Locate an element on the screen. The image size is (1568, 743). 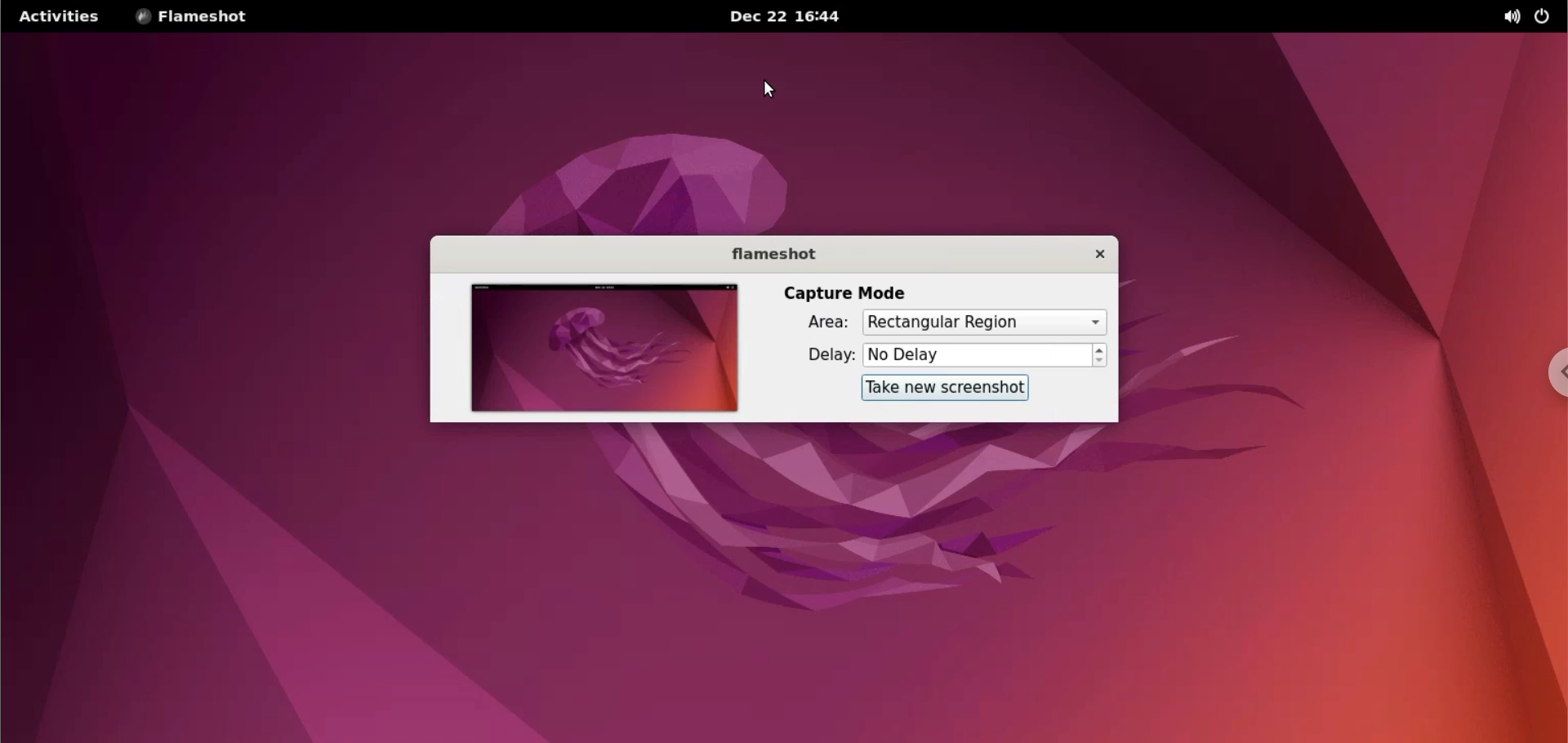
close is located at coordinates (776, 96).